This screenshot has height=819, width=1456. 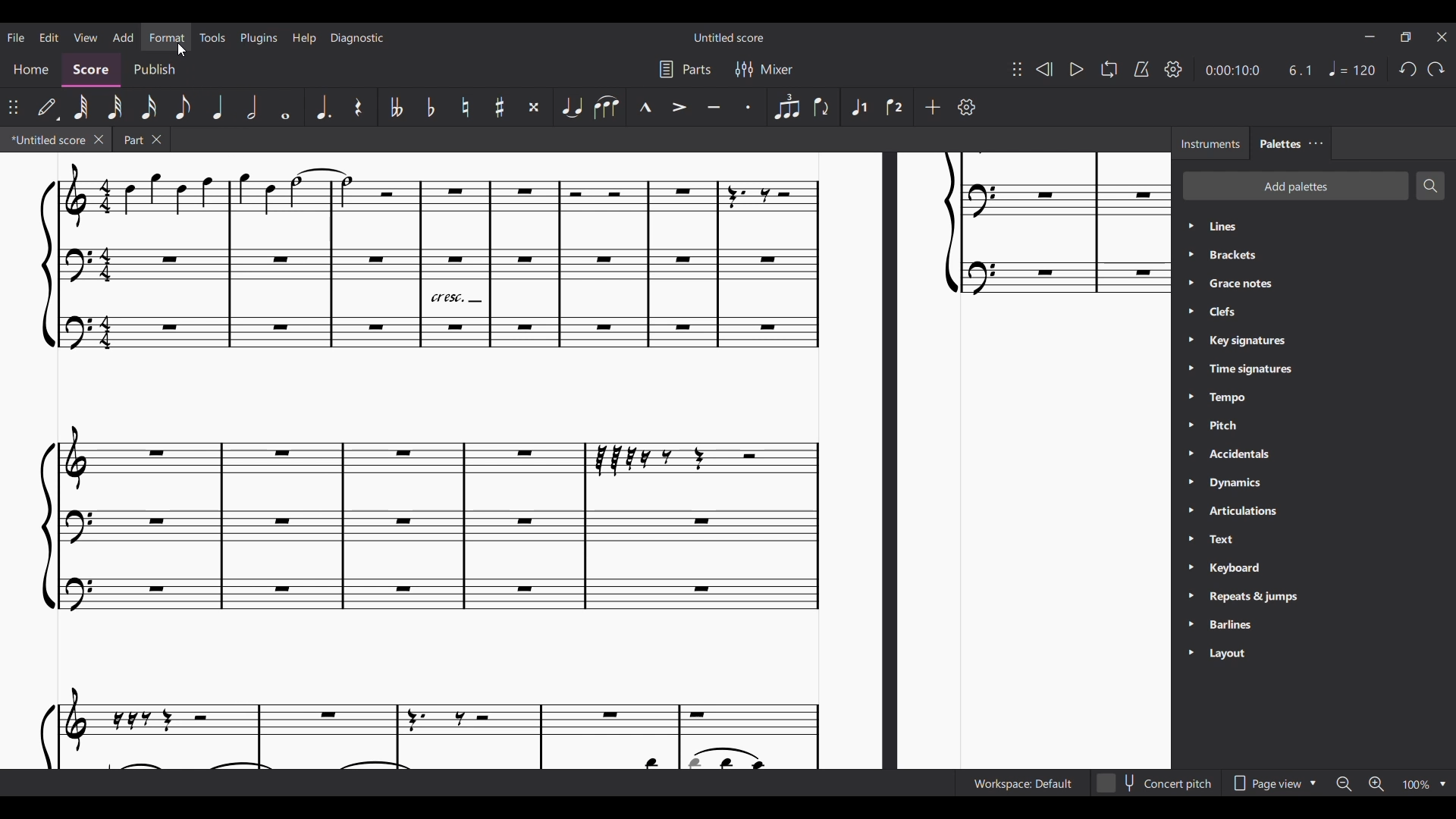 What do you see at coordinates (1141, 69) in the screenshot?
I see `Metronome` at bounding box center [1141, 69].